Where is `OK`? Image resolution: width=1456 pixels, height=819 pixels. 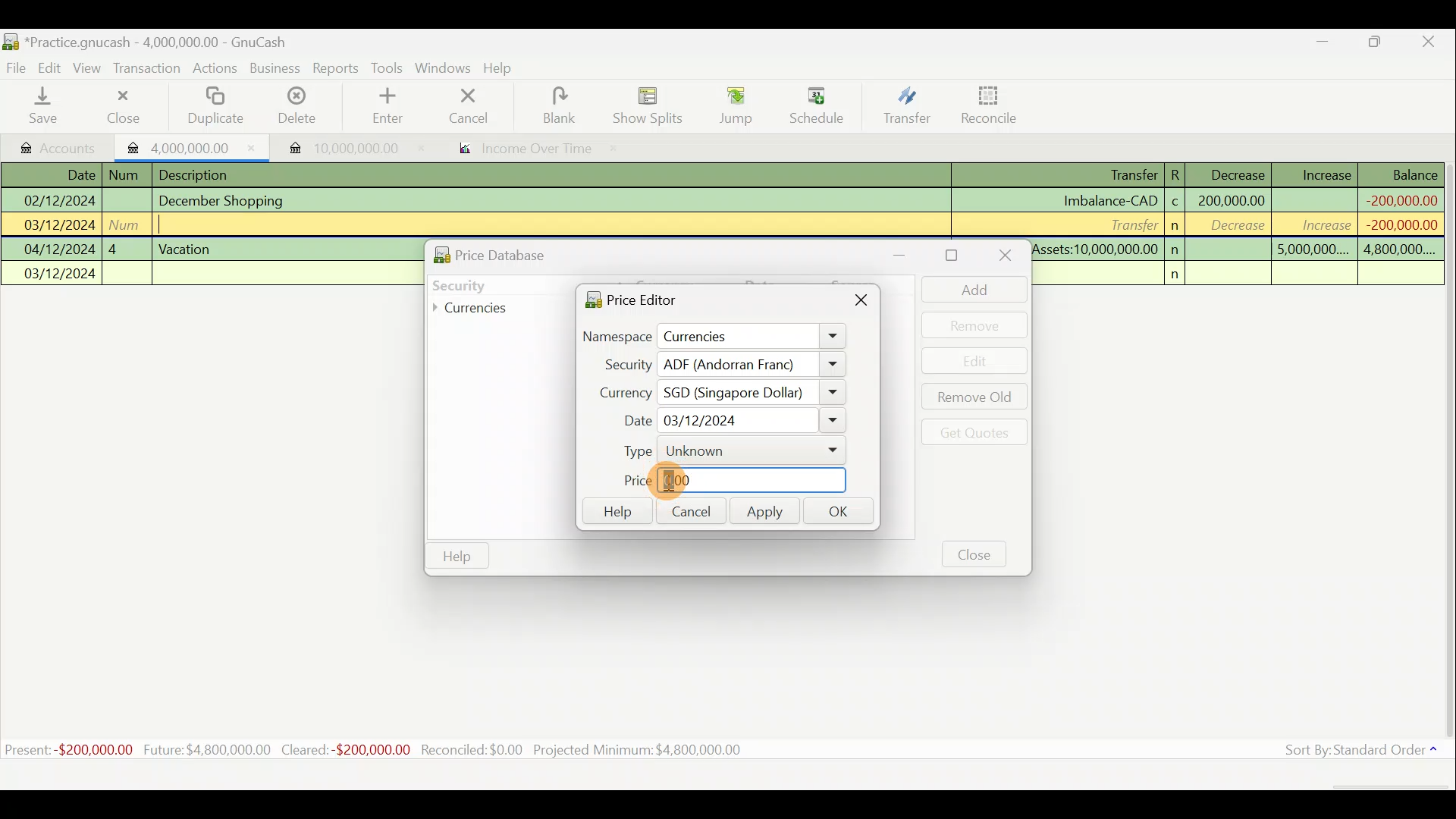
OK is located at coordinates (843, 513).